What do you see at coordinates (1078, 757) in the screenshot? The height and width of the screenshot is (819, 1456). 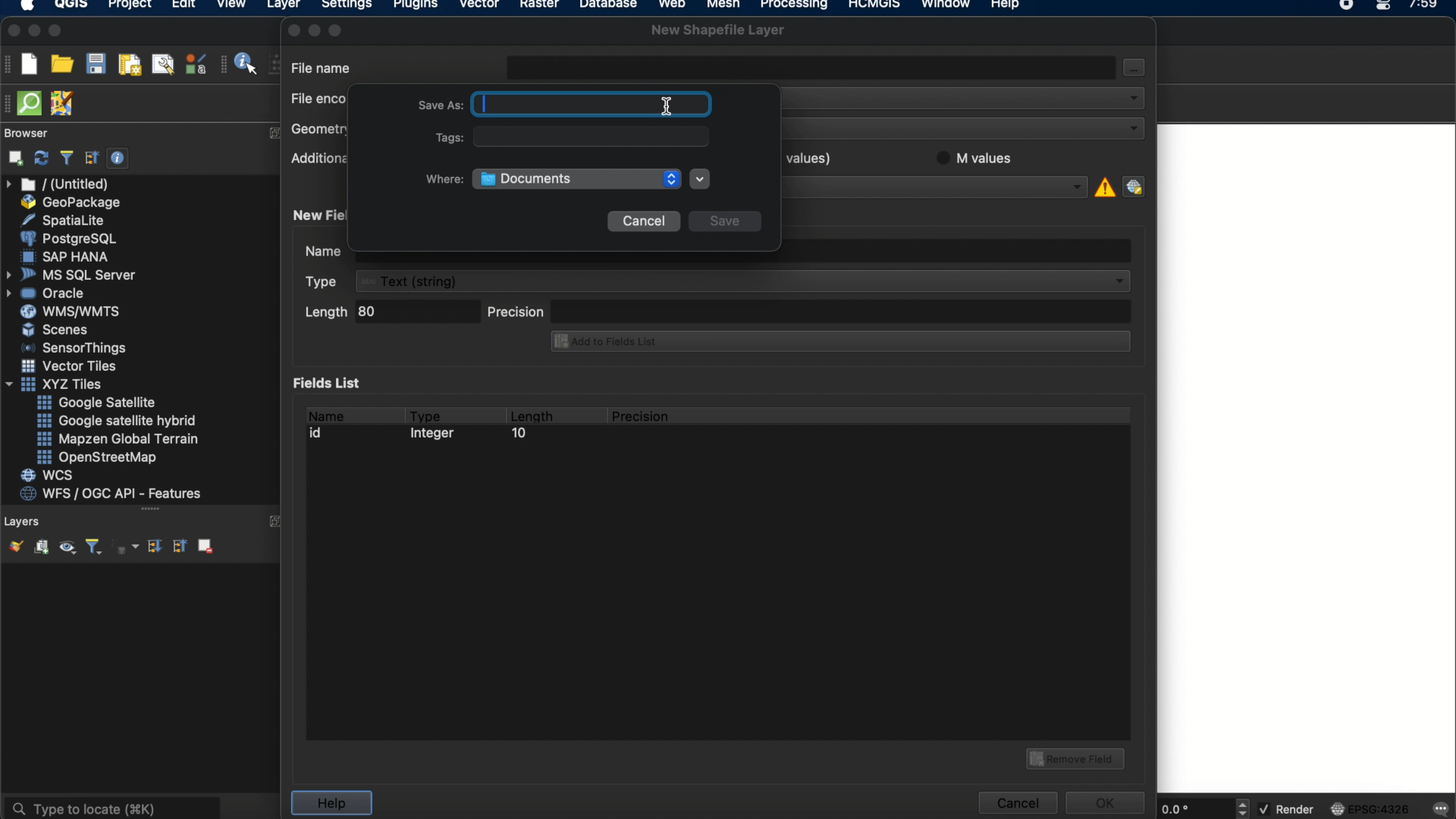 I see `remove field` at bounding box center [1078, 757].